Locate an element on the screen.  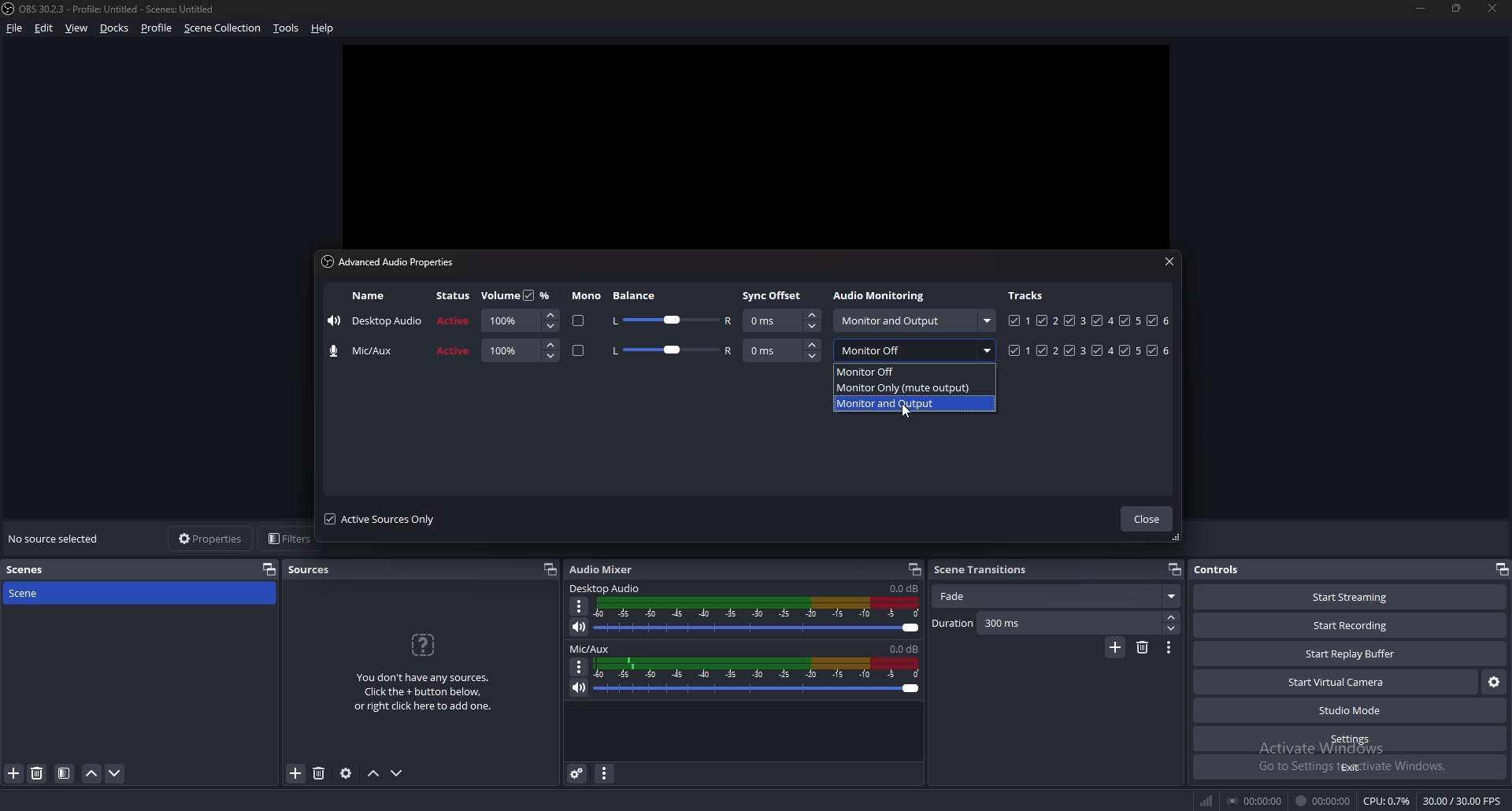
sync offset is located at coordinates (773, 295).